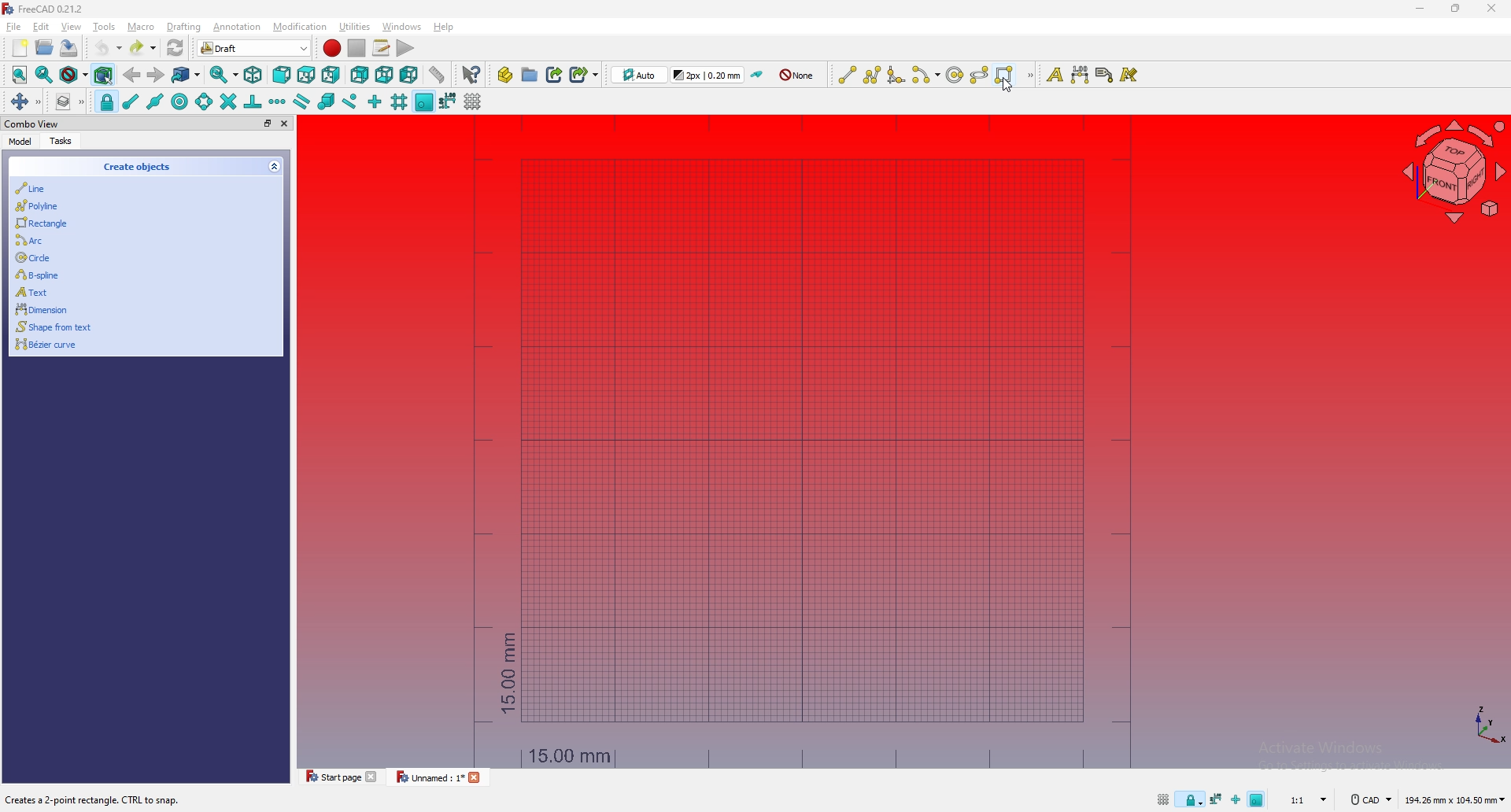 This screenshot has width=1511, height=812. Describe the element at coordinates (925, 75) in the screenshot. I see `arc tools` at that location.